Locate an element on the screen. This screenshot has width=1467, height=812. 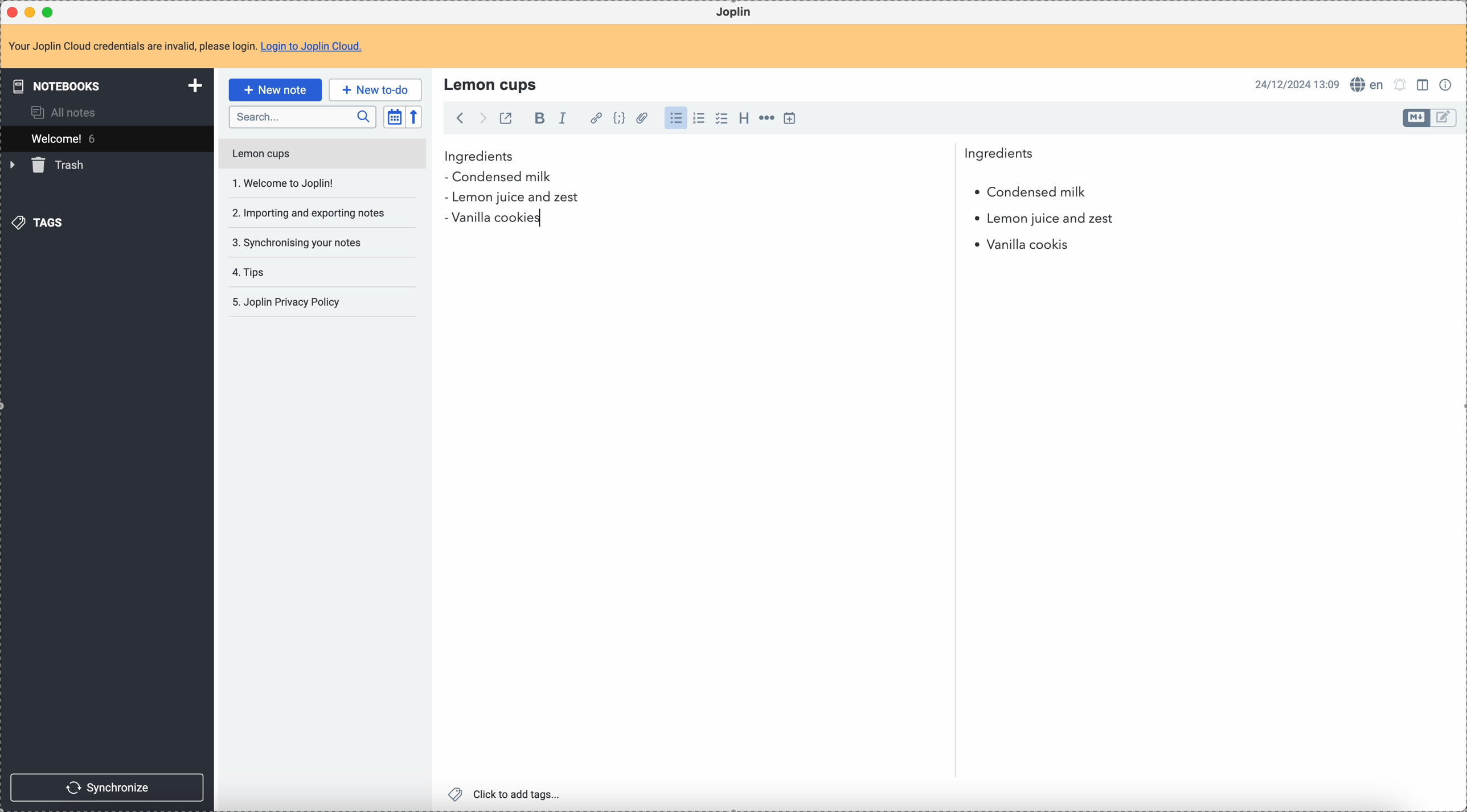
Joplin is located at coordinates (733, 13).